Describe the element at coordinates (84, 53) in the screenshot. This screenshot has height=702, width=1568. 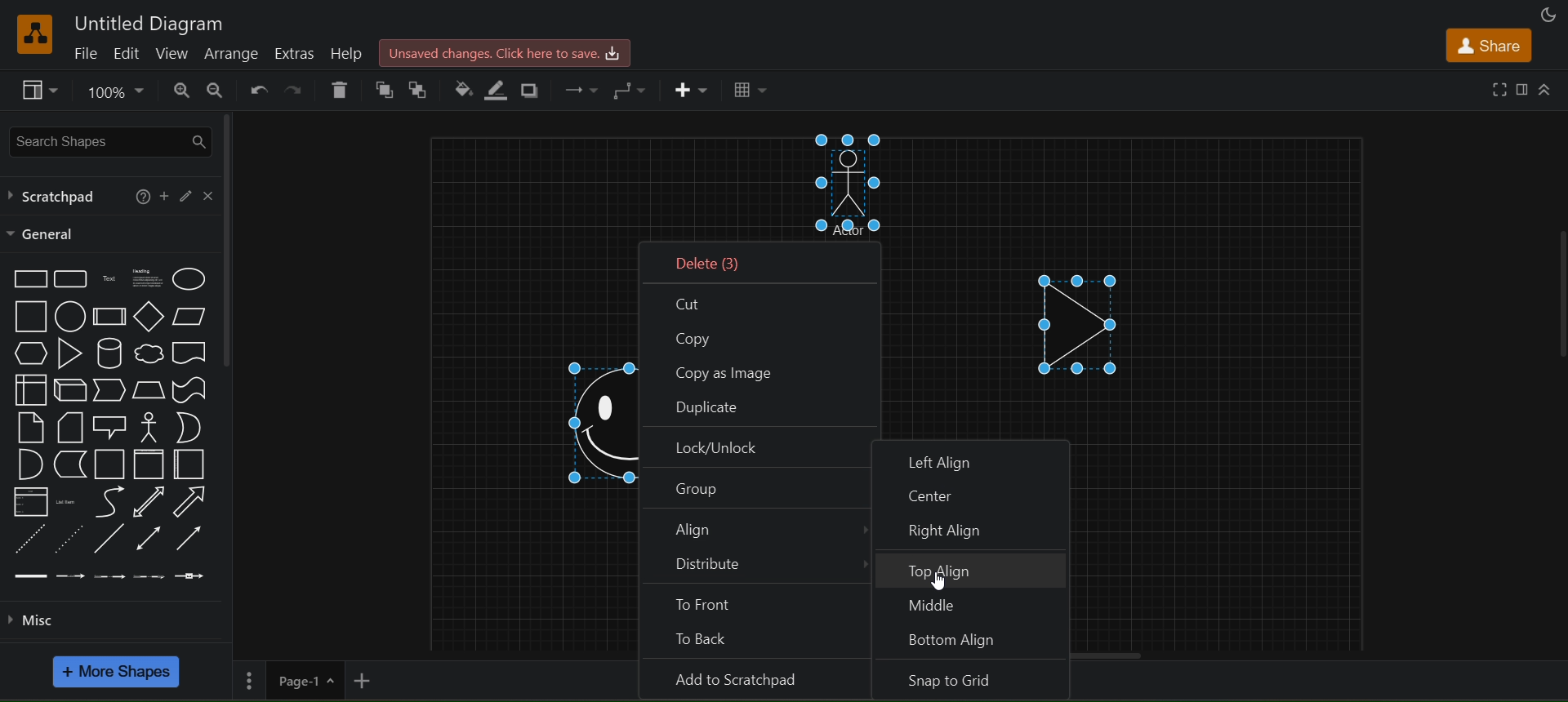
I see `file` at that location.